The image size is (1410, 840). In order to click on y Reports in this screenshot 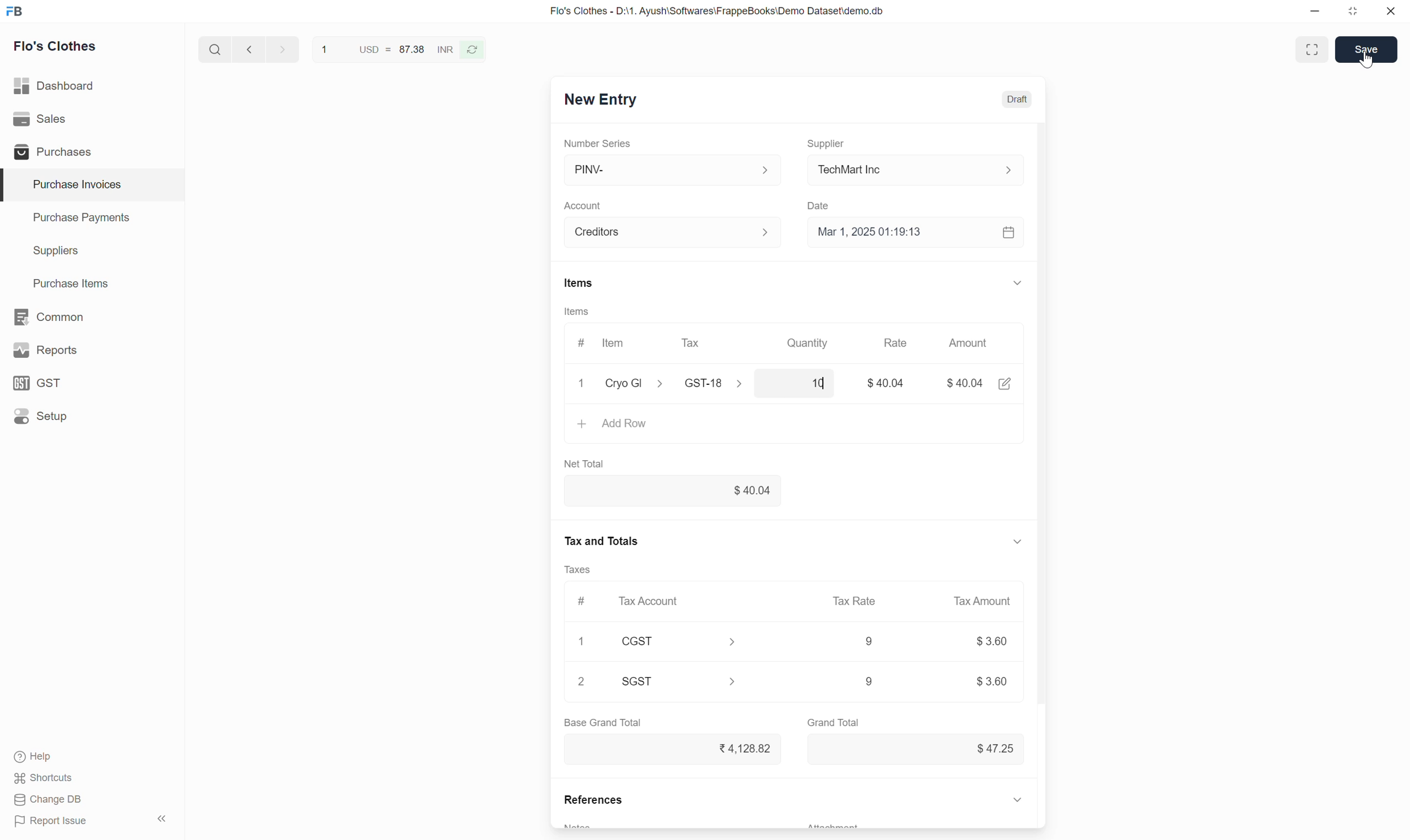, I will do `click(45, 351)`.